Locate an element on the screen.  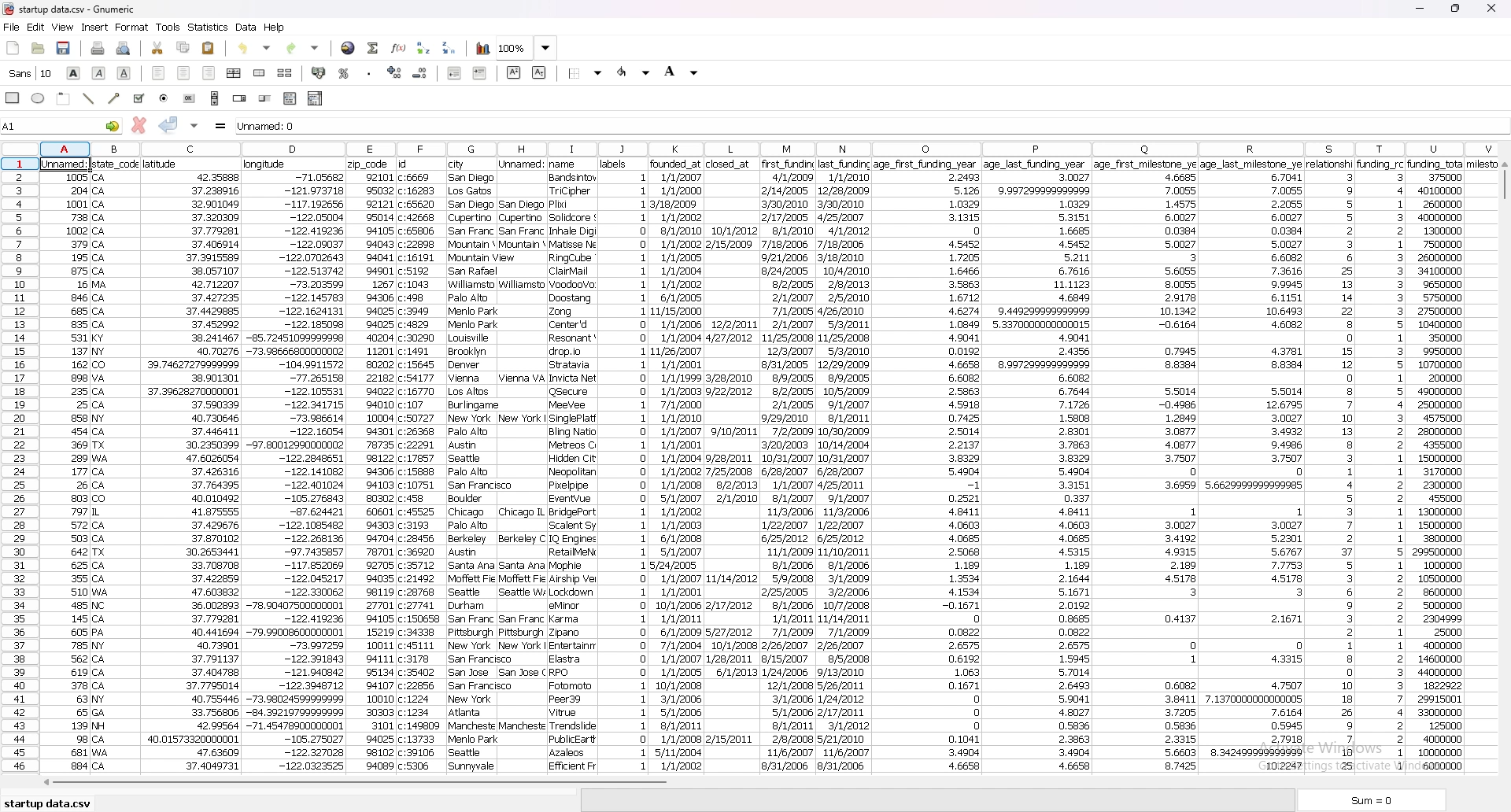
data is located at coordinates (1381, 465).